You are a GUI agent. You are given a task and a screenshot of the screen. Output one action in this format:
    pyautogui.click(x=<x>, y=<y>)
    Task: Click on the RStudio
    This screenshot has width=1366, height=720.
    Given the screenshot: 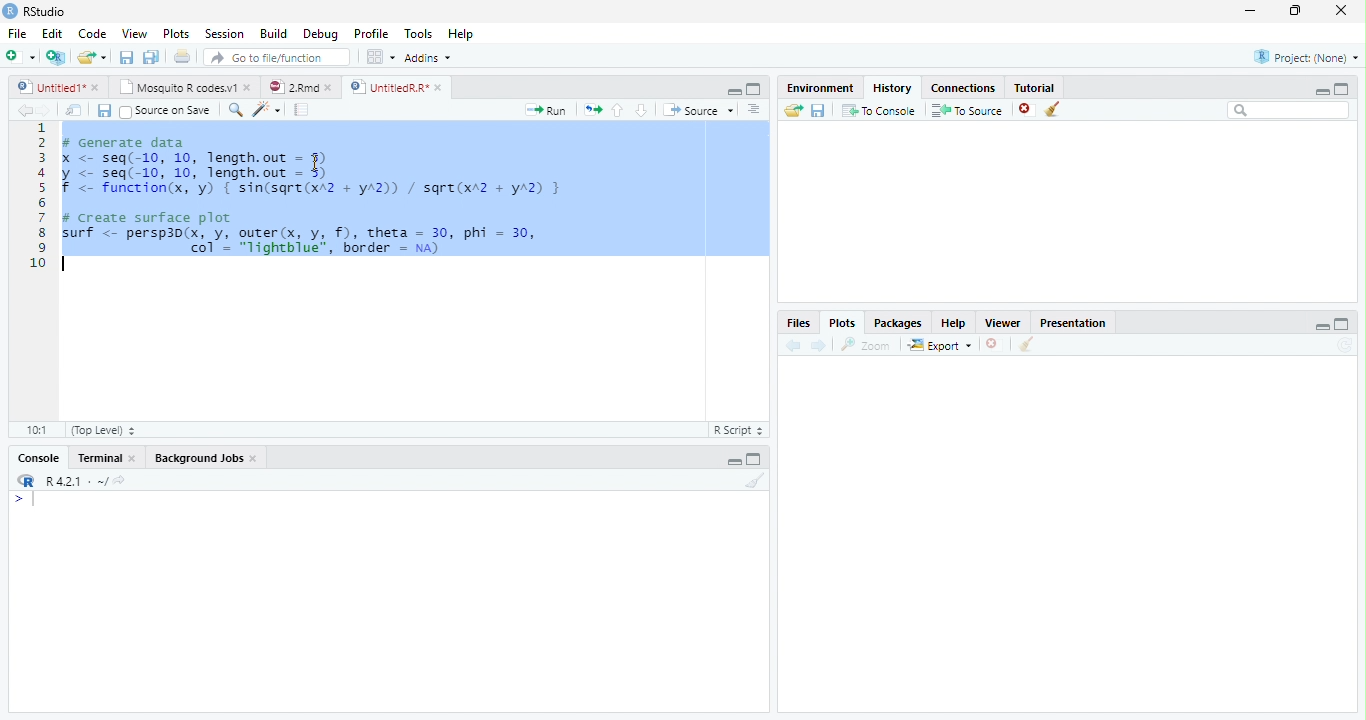 What is the action you would take?
    pyautogui.click(x=34, y=11)
    